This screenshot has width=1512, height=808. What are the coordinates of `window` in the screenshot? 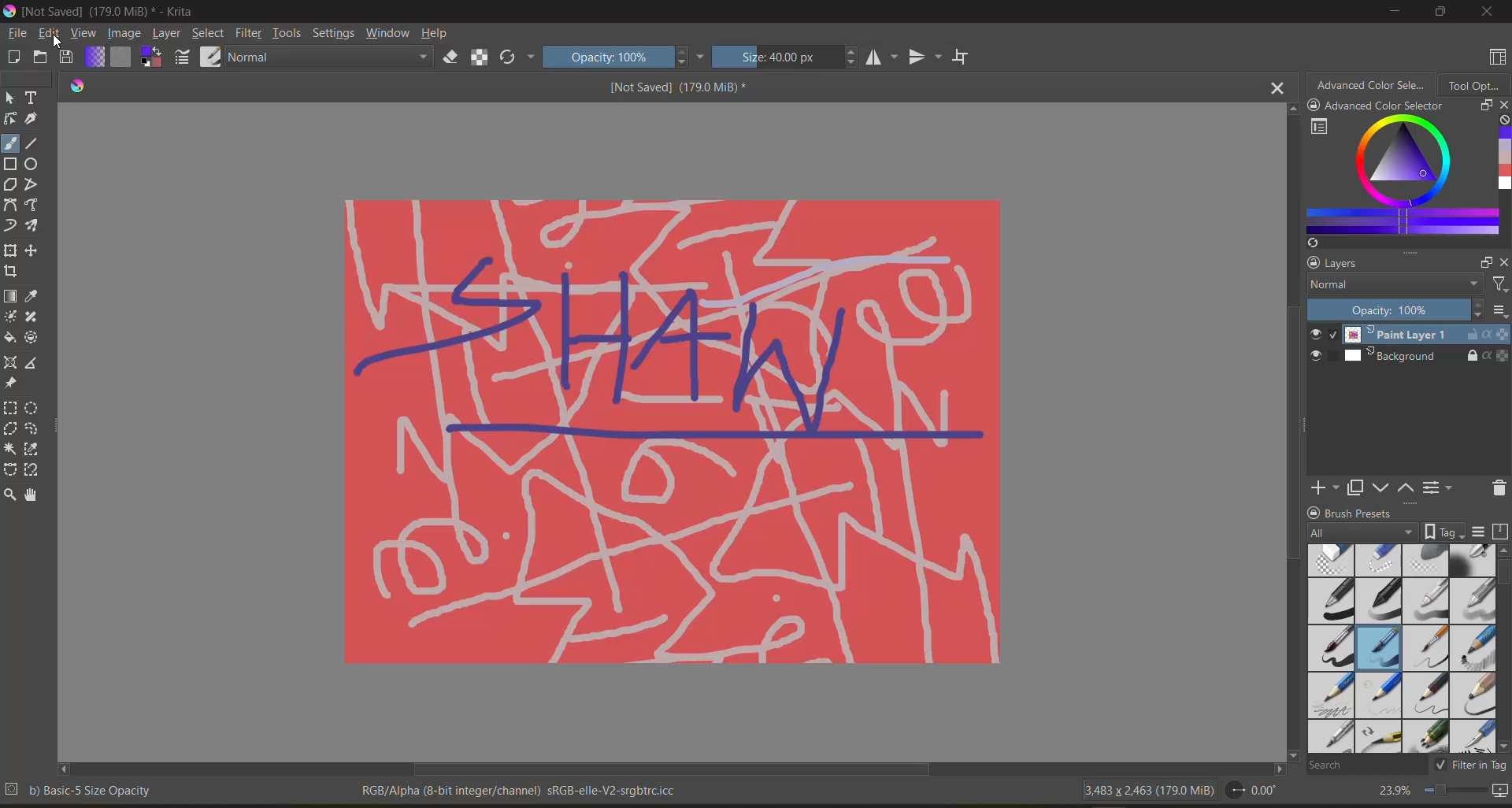 It's located at (388, 32).